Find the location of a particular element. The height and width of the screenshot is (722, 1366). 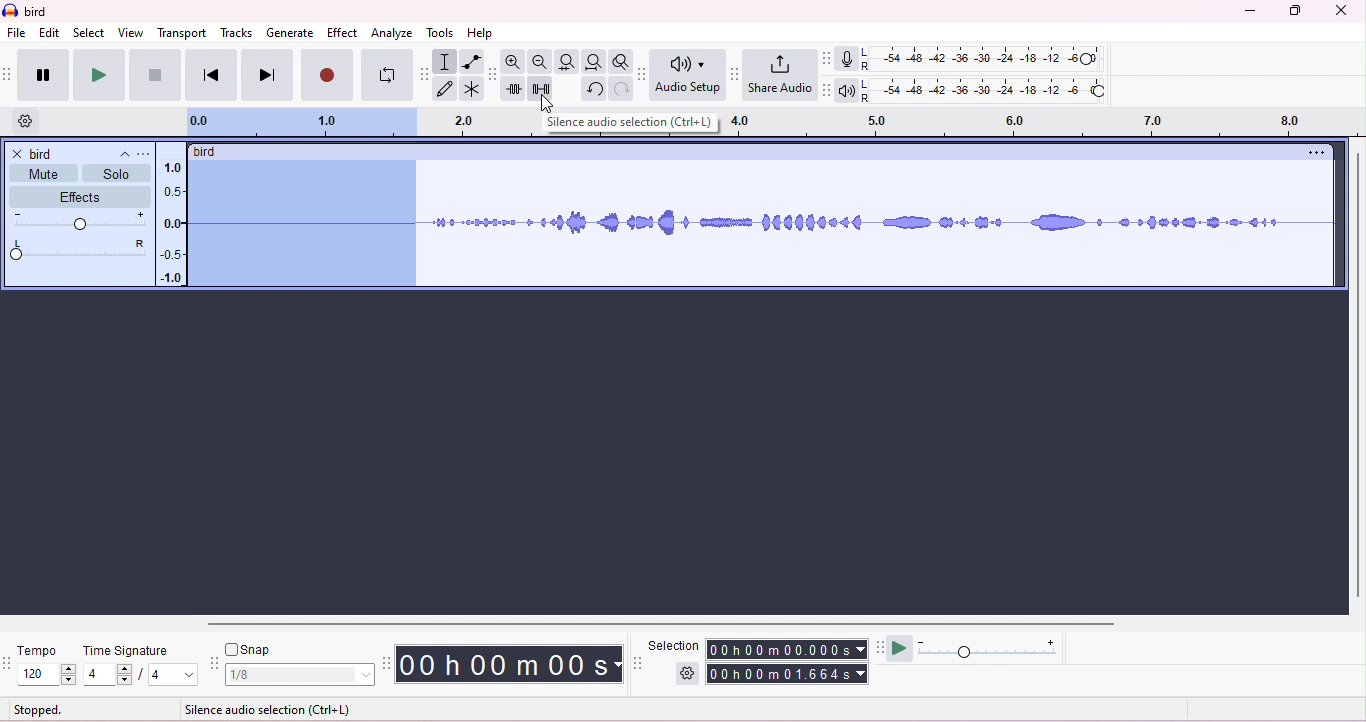

snap is located at coordinates (249, 648).